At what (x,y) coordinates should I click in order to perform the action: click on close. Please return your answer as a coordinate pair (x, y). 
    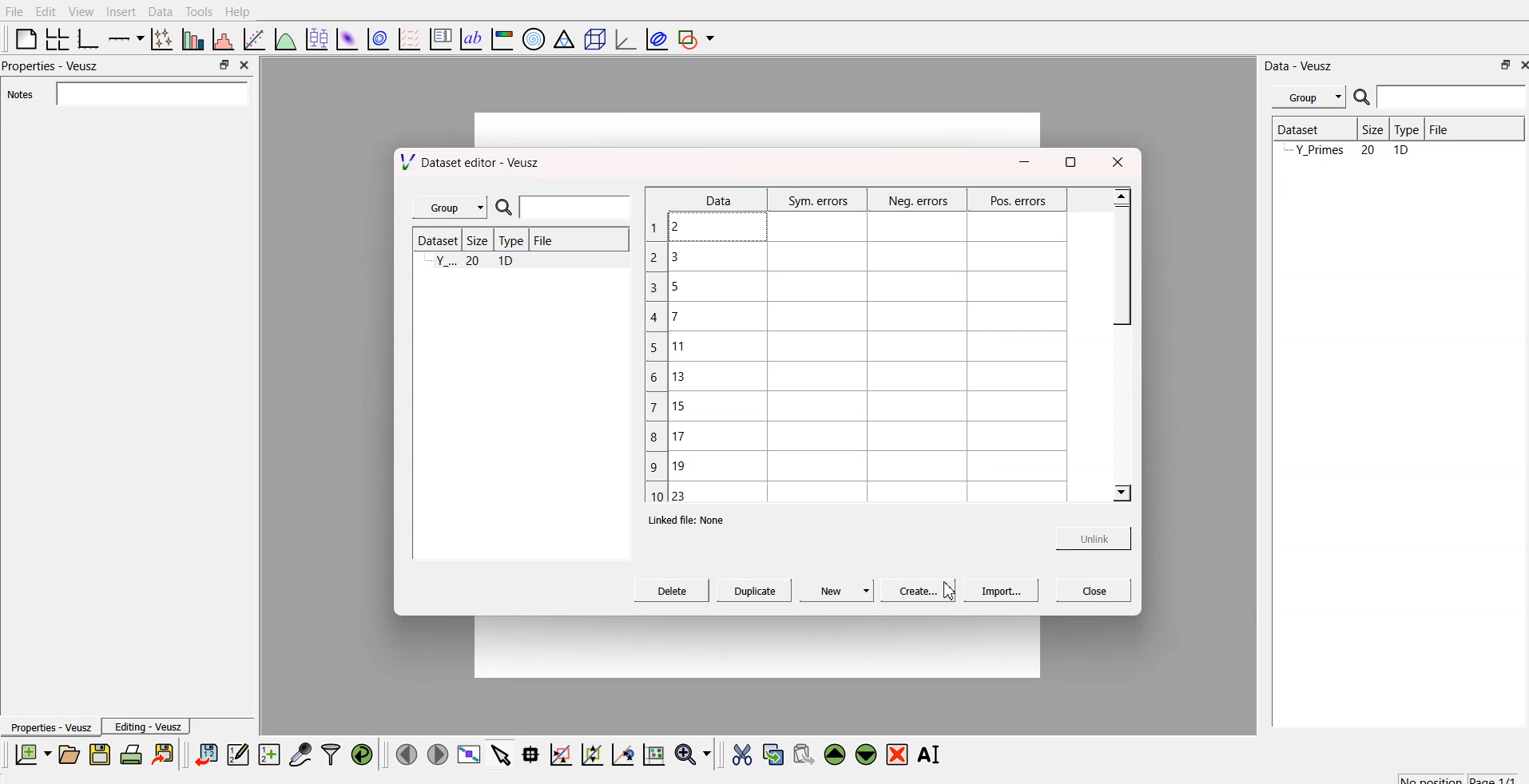
    Looking at the image, I should click on (1519, 66).